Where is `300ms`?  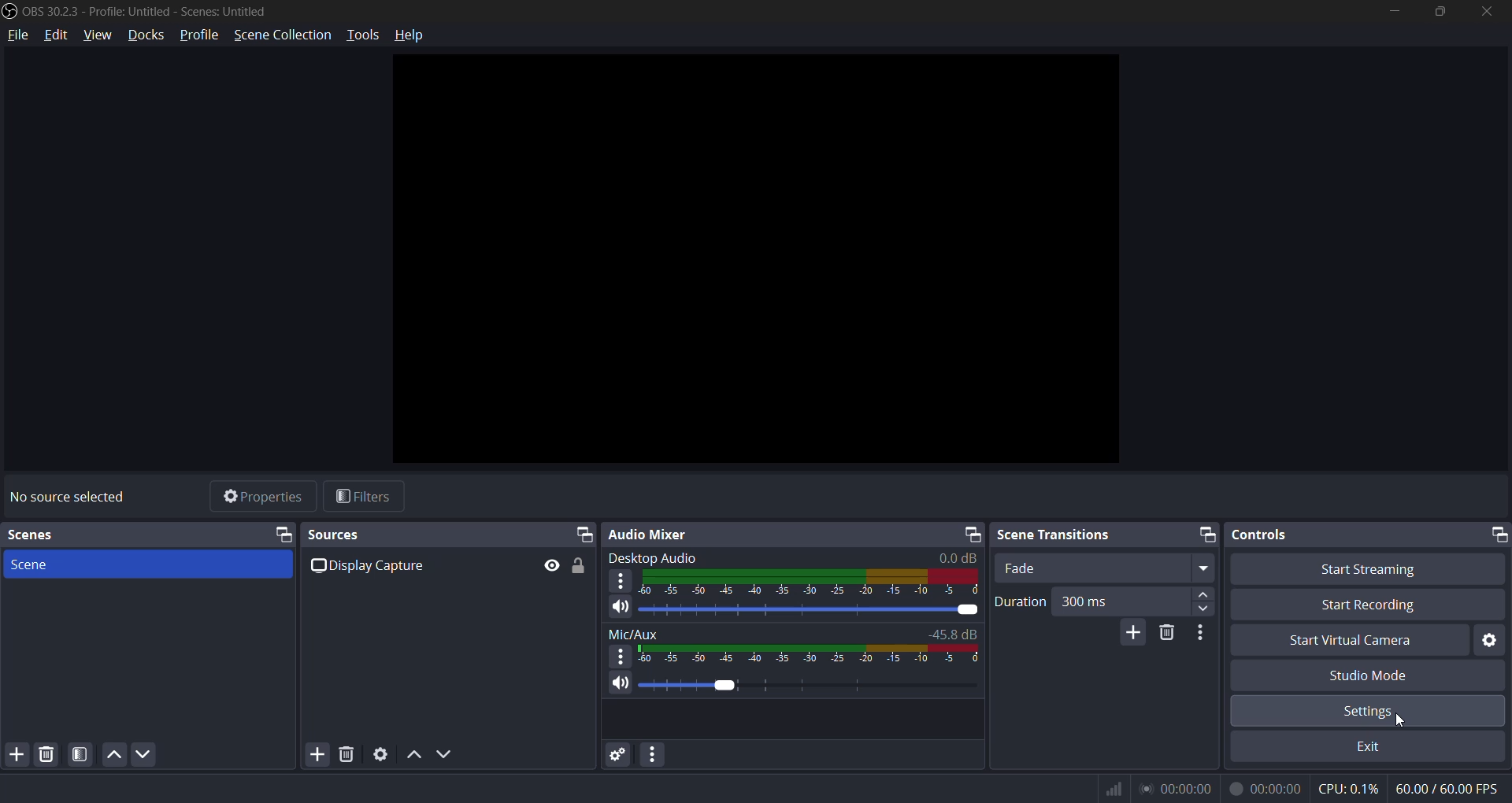 300ms is located at coordinates (1109, 600).